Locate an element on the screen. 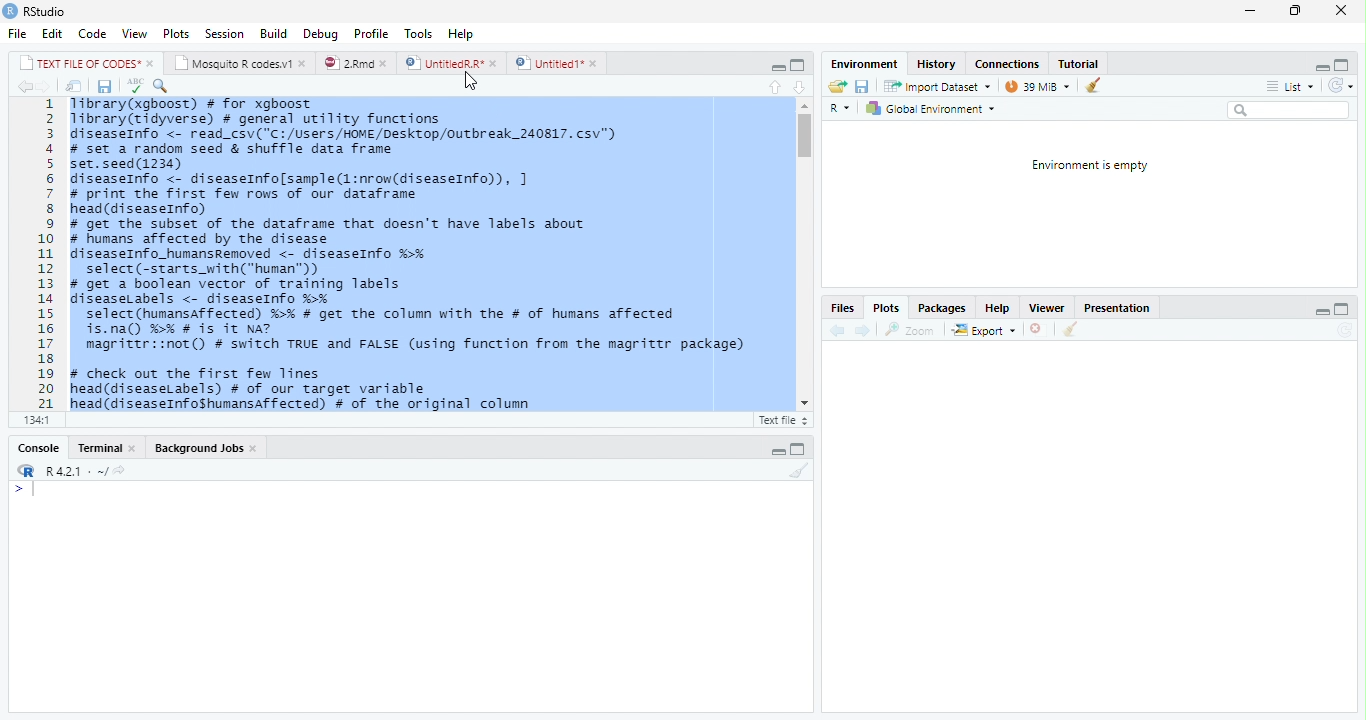  Session is located at coordinates (225, 33).